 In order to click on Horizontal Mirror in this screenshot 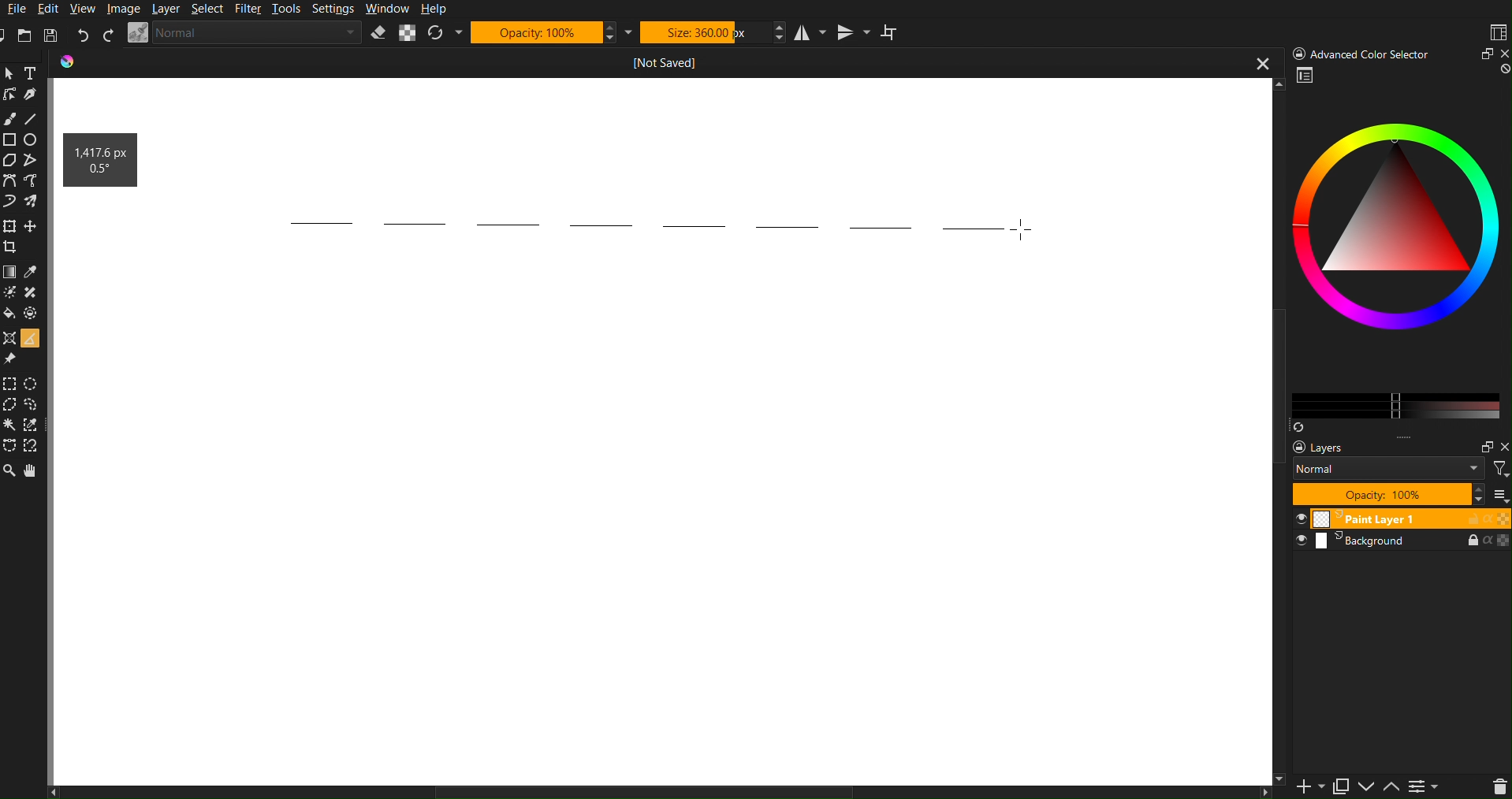, I will do `click(806, 32)`.